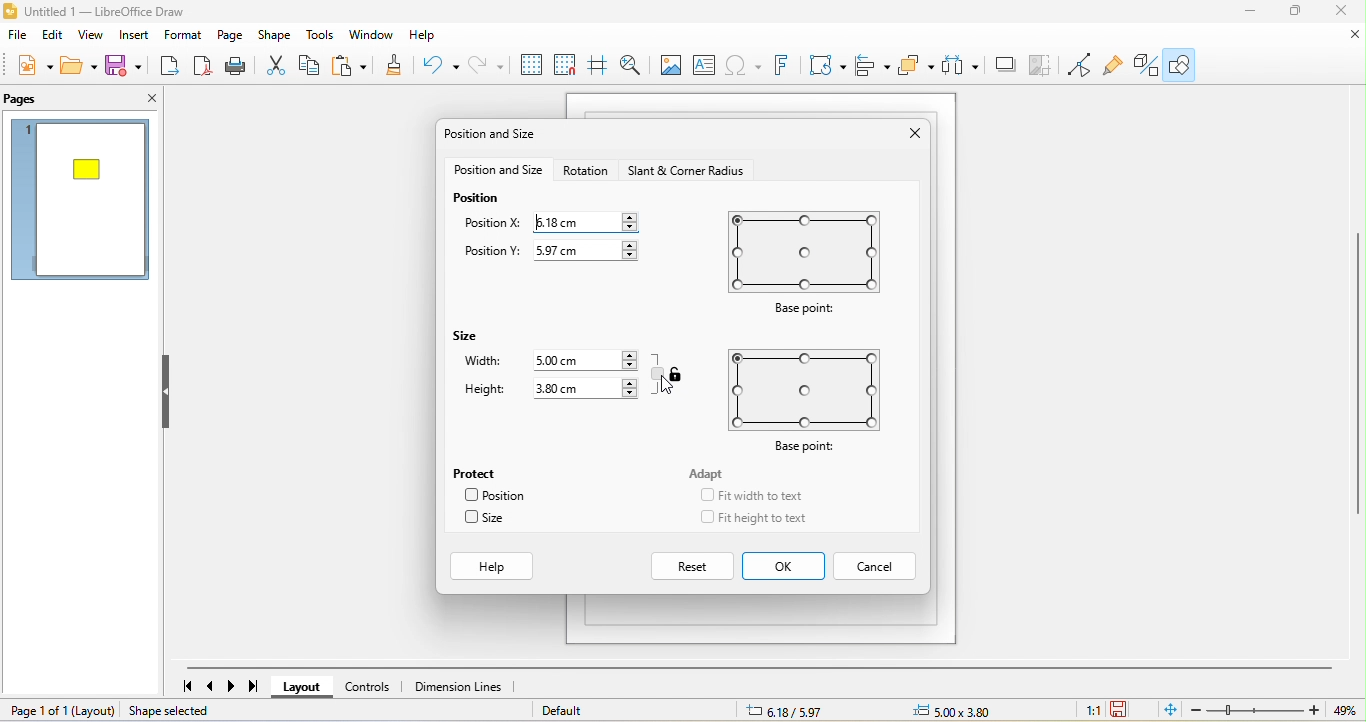  What do you see at coordinates (496, 136) in the screenshot?
I see `position and size` at bounding box center [496, 136].